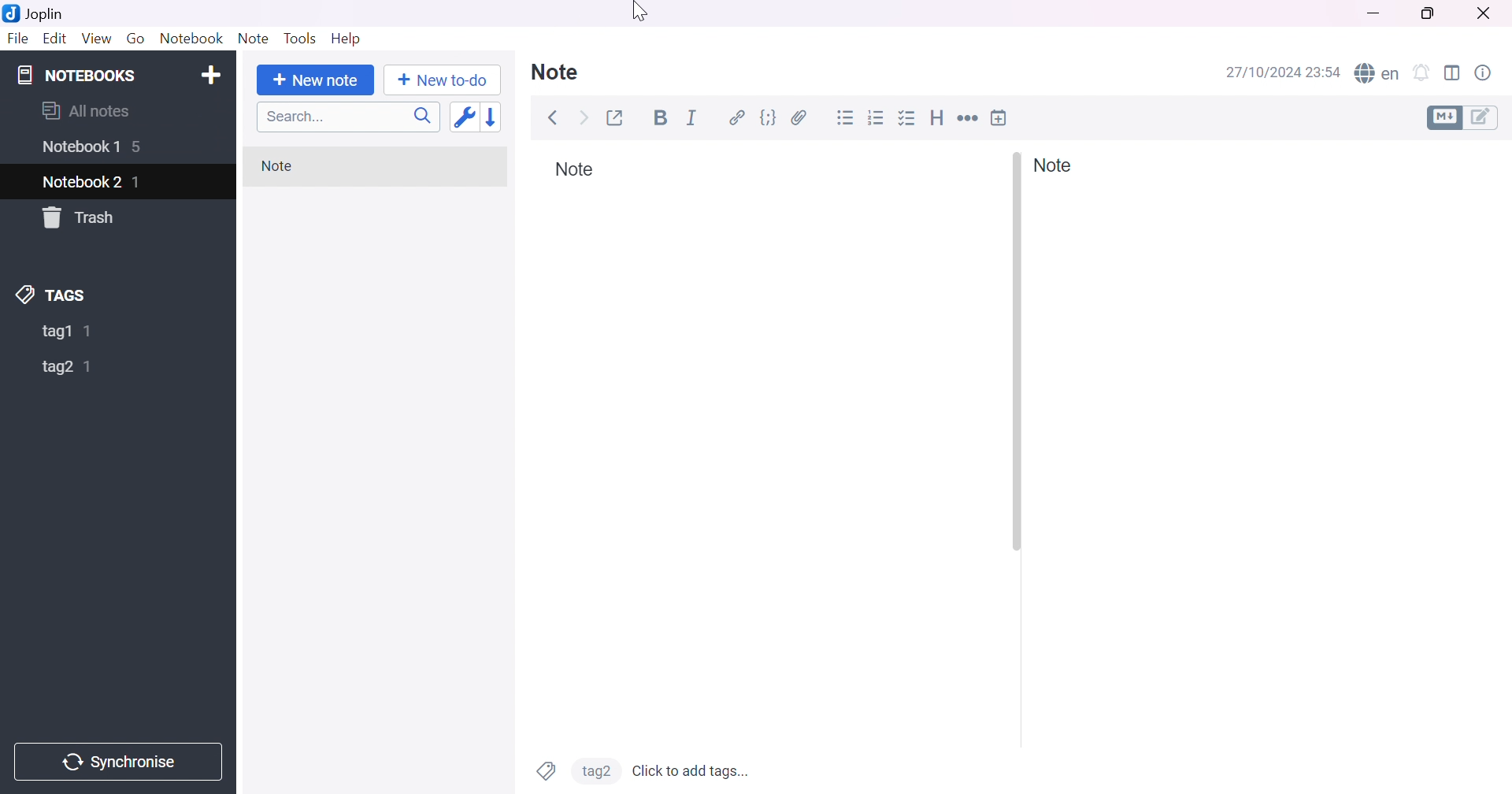 The image size is (1512, 794). Describe the element at coordinates (877, 118) in the screenshot. I see `Numbered list` at that location.